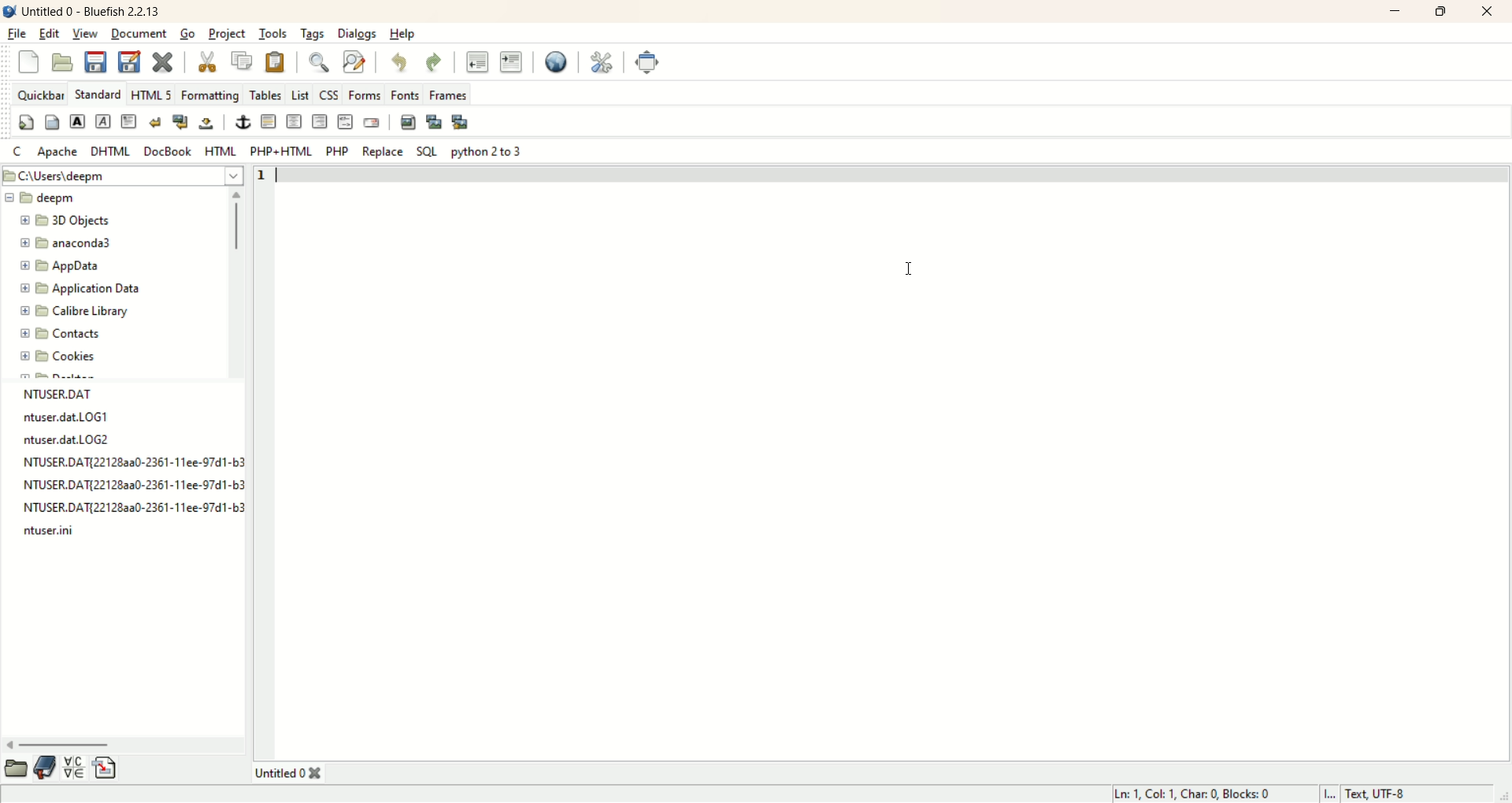 The width and height of the screenshot is (1512, 803). What do you see at coordinates (180, 123) in the screenshot?
I see `break and clear` at bounding box center [180, 123].